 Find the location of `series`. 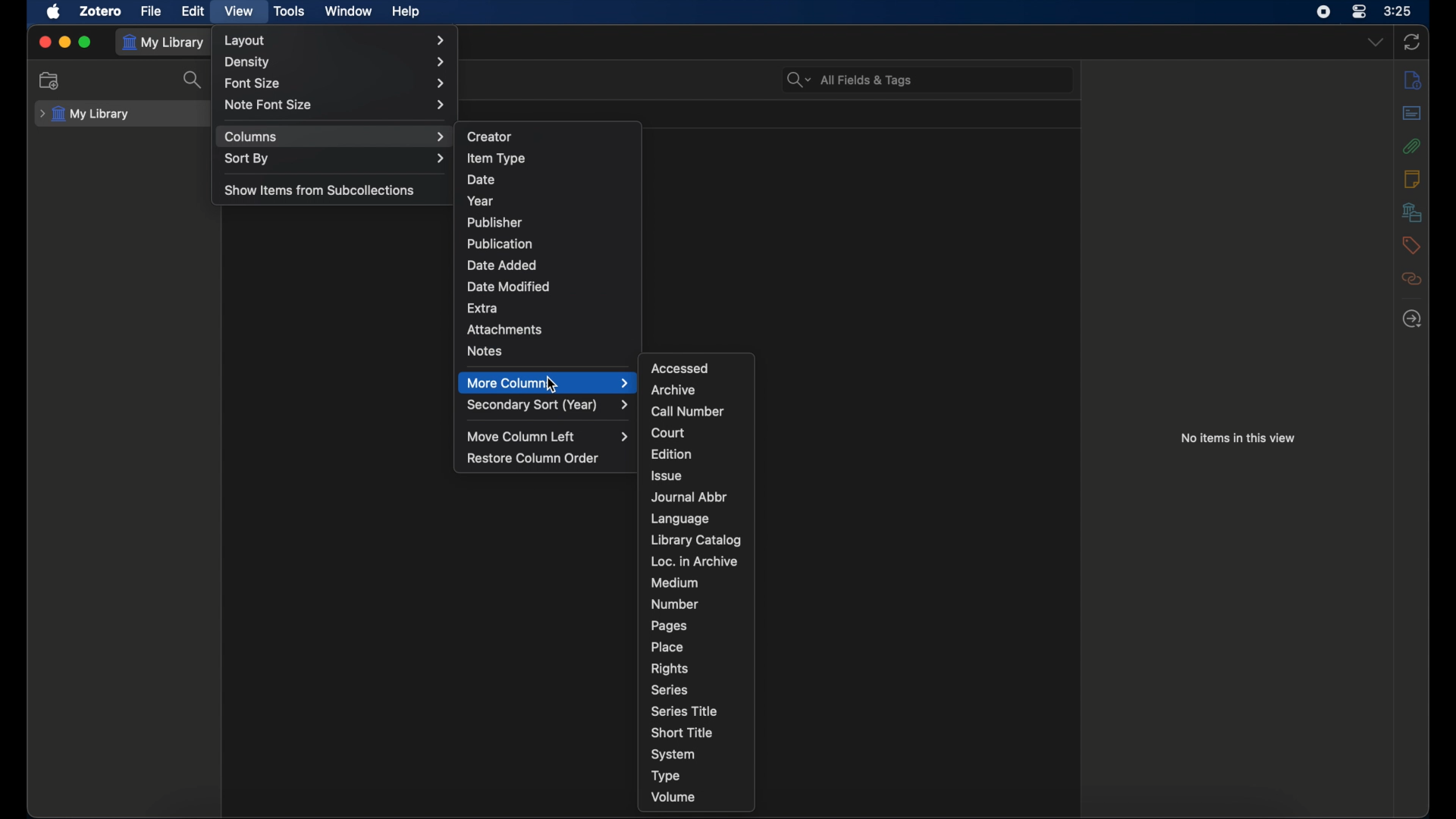

series is located at coordinates (669, 689).